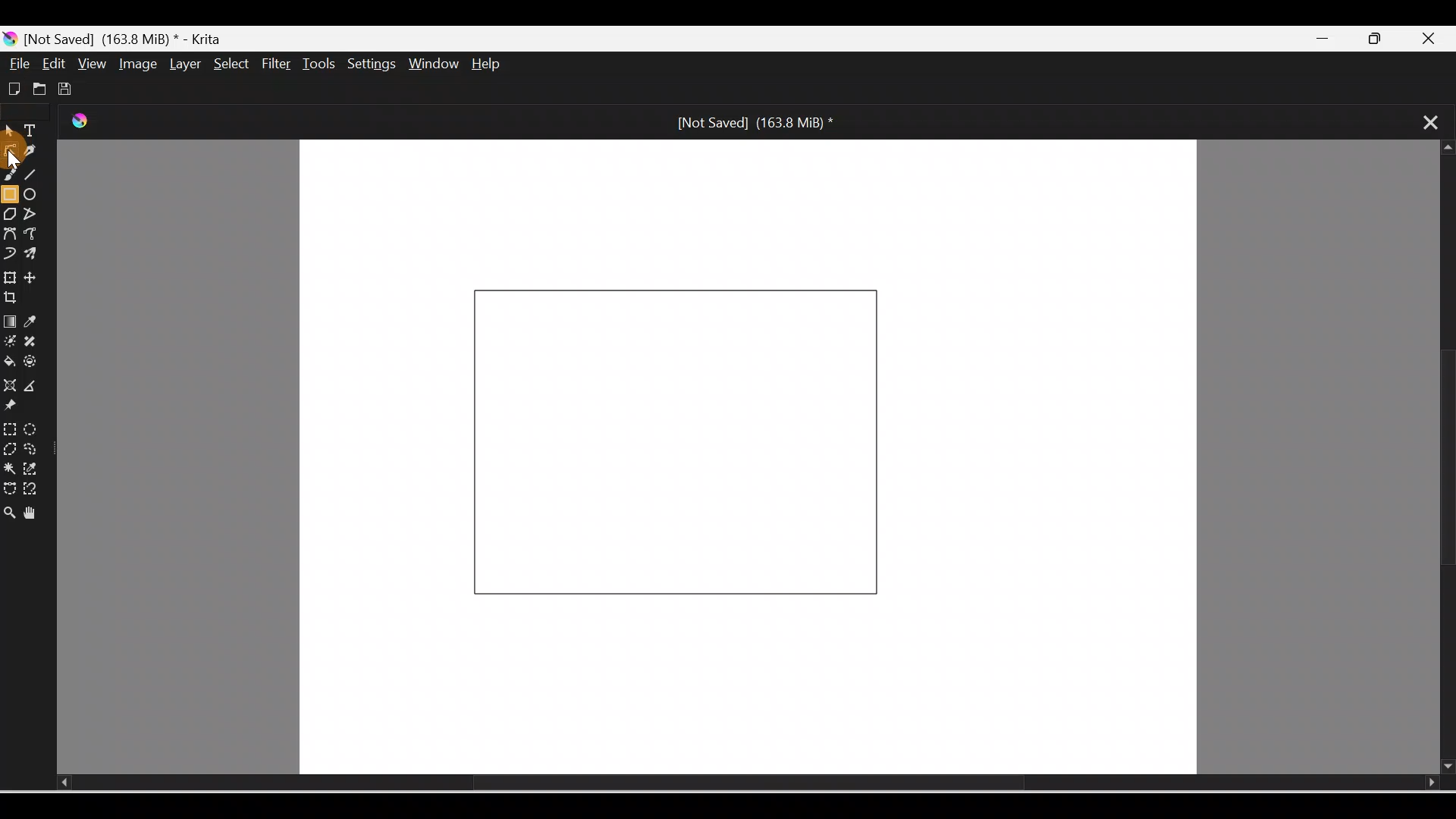 This screenshot has width=1456, height=819. What do you see at coordinates (33, 467) in the screenshot?
I see `Similar color selection tool` at bounding box center [33, 467].